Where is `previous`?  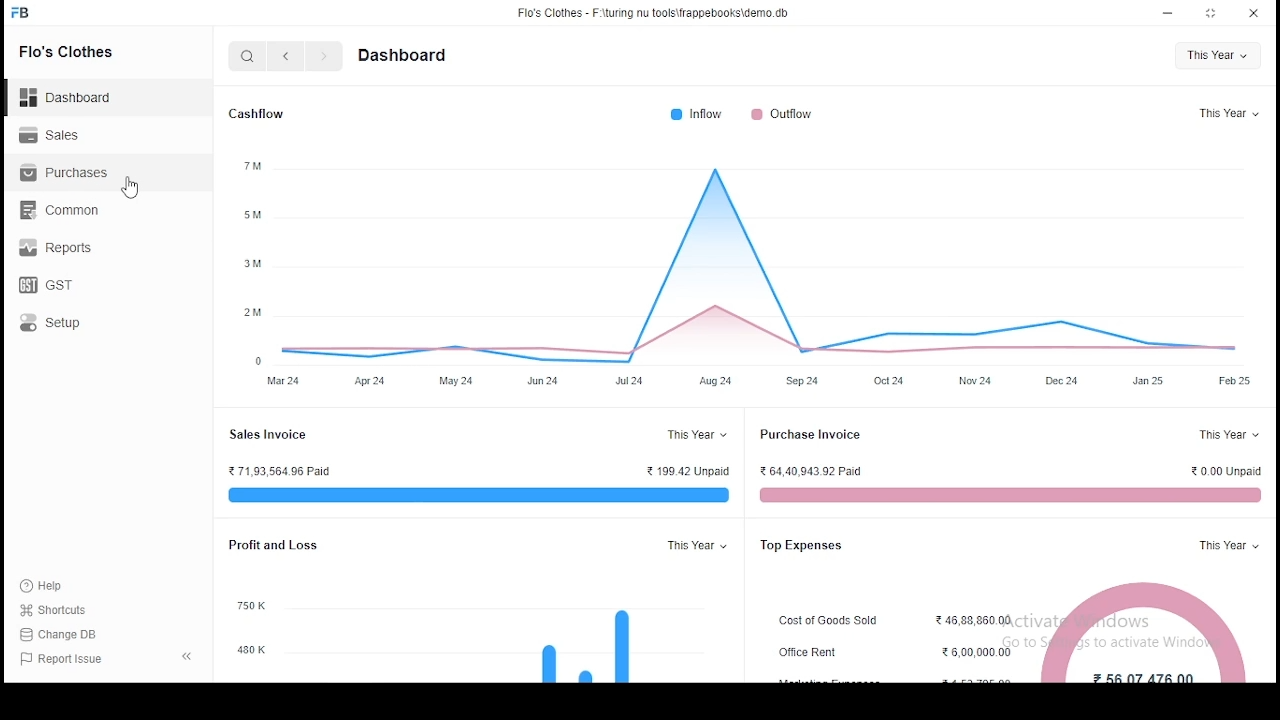 previous is located at coordinates (287, 57).